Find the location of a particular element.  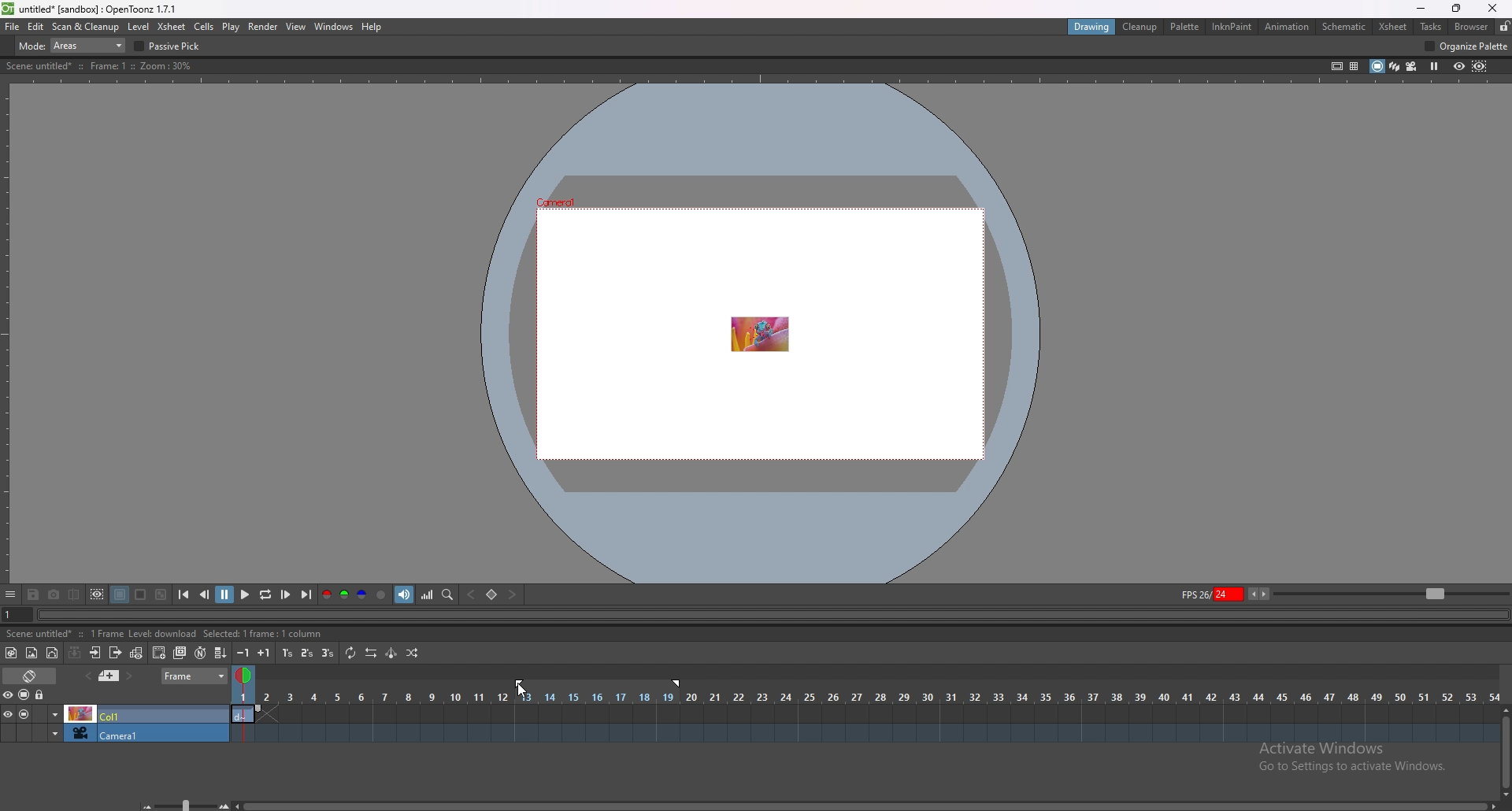

reframe on 2s is located at coordinates (308, 653).